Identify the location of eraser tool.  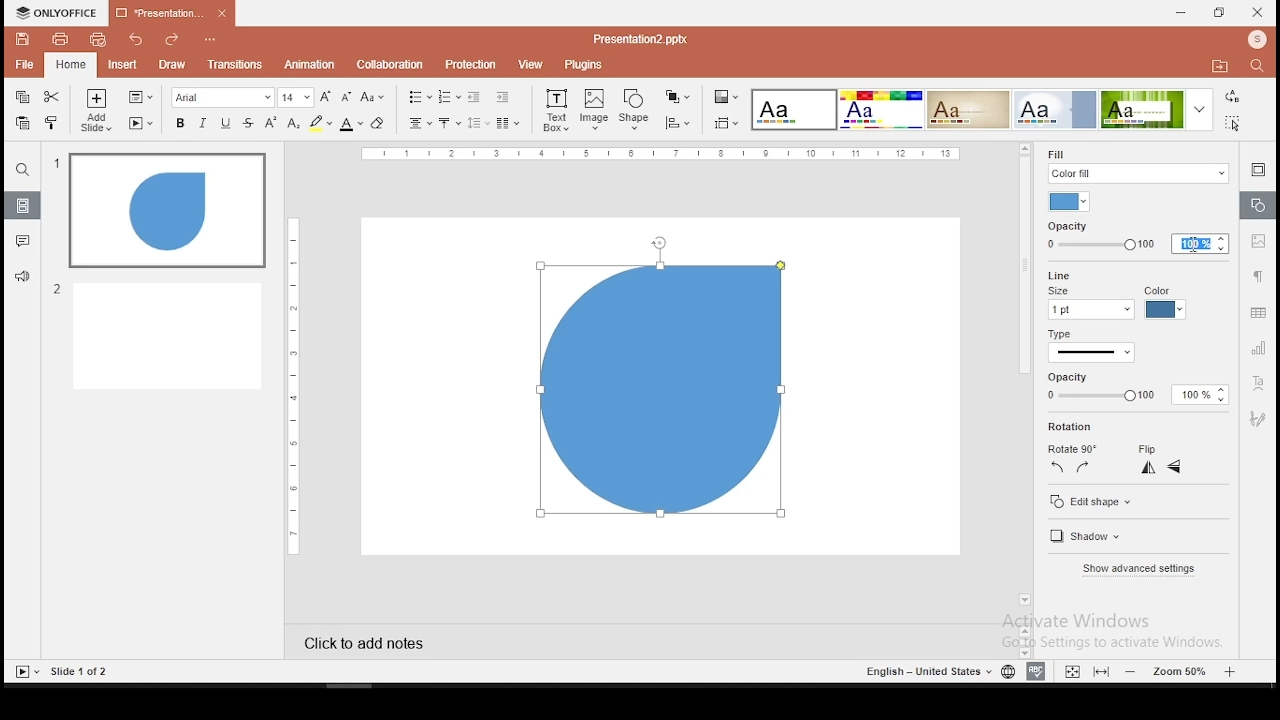
(378, 123).